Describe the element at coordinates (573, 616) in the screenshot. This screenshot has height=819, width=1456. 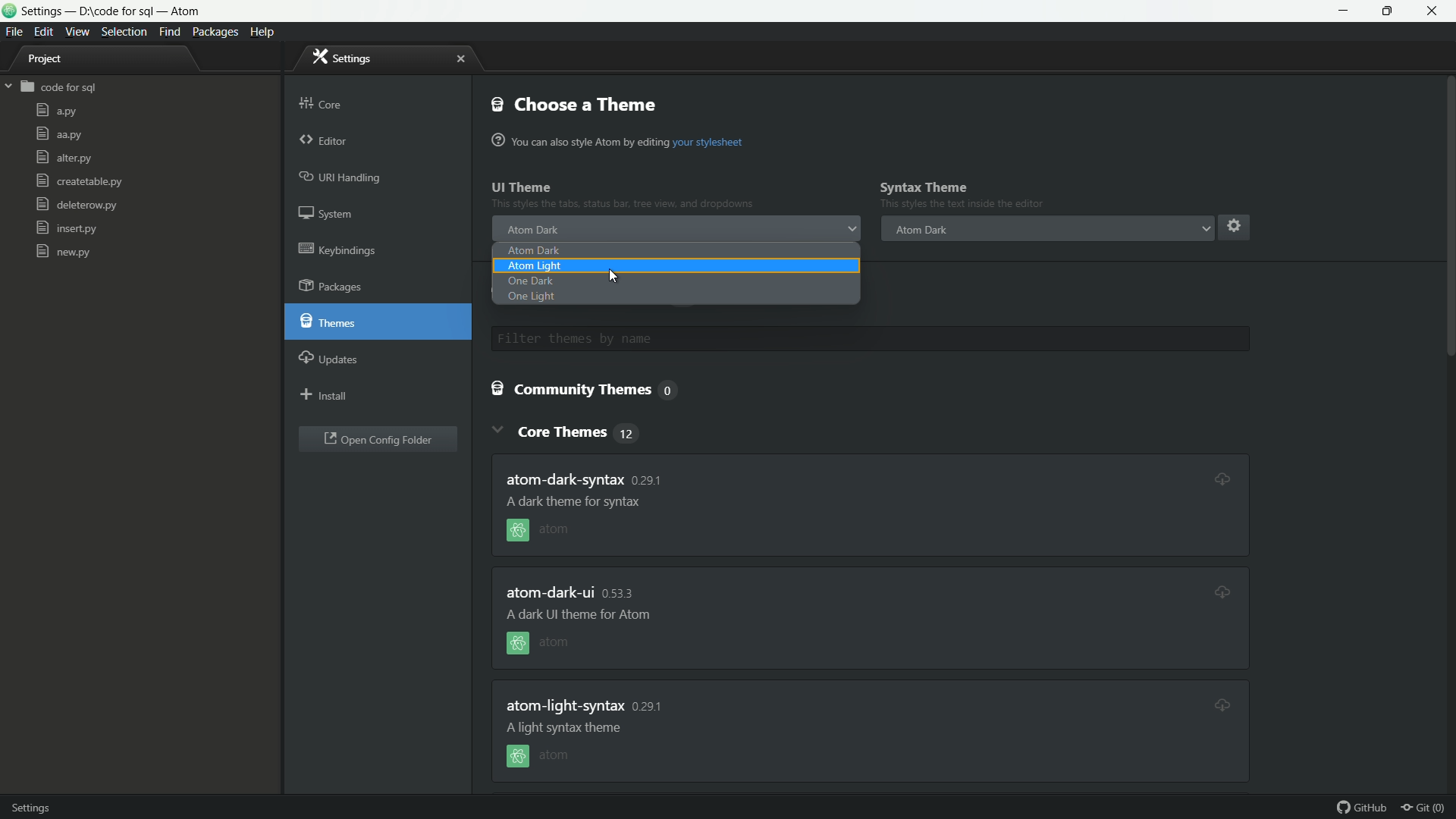
I see `a dark theme for syntax` at that location.